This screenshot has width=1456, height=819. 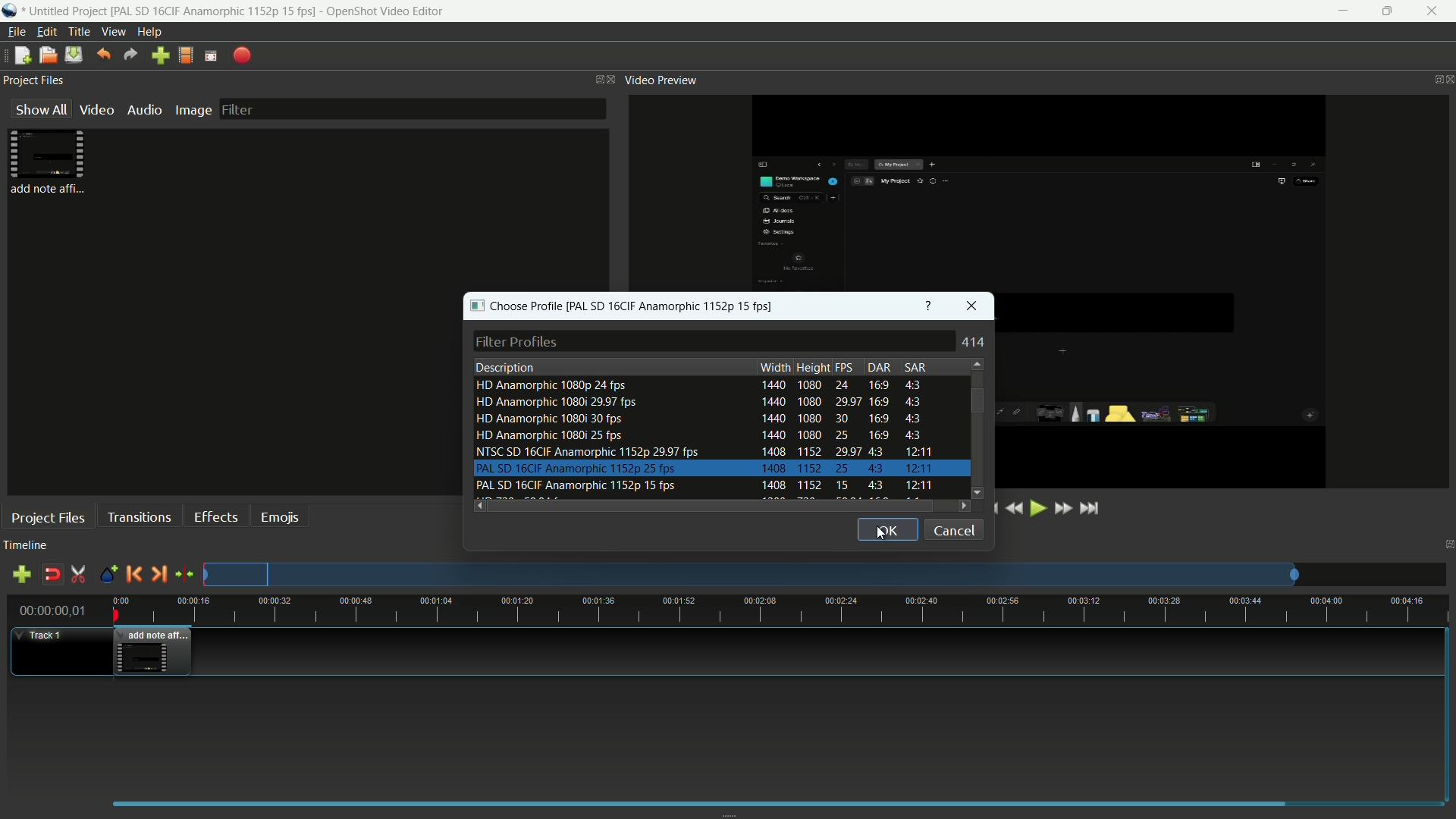 What do you see at coordinates (918, 366) in the screenshot?
I see `sar` at bounding box center [918, 366].